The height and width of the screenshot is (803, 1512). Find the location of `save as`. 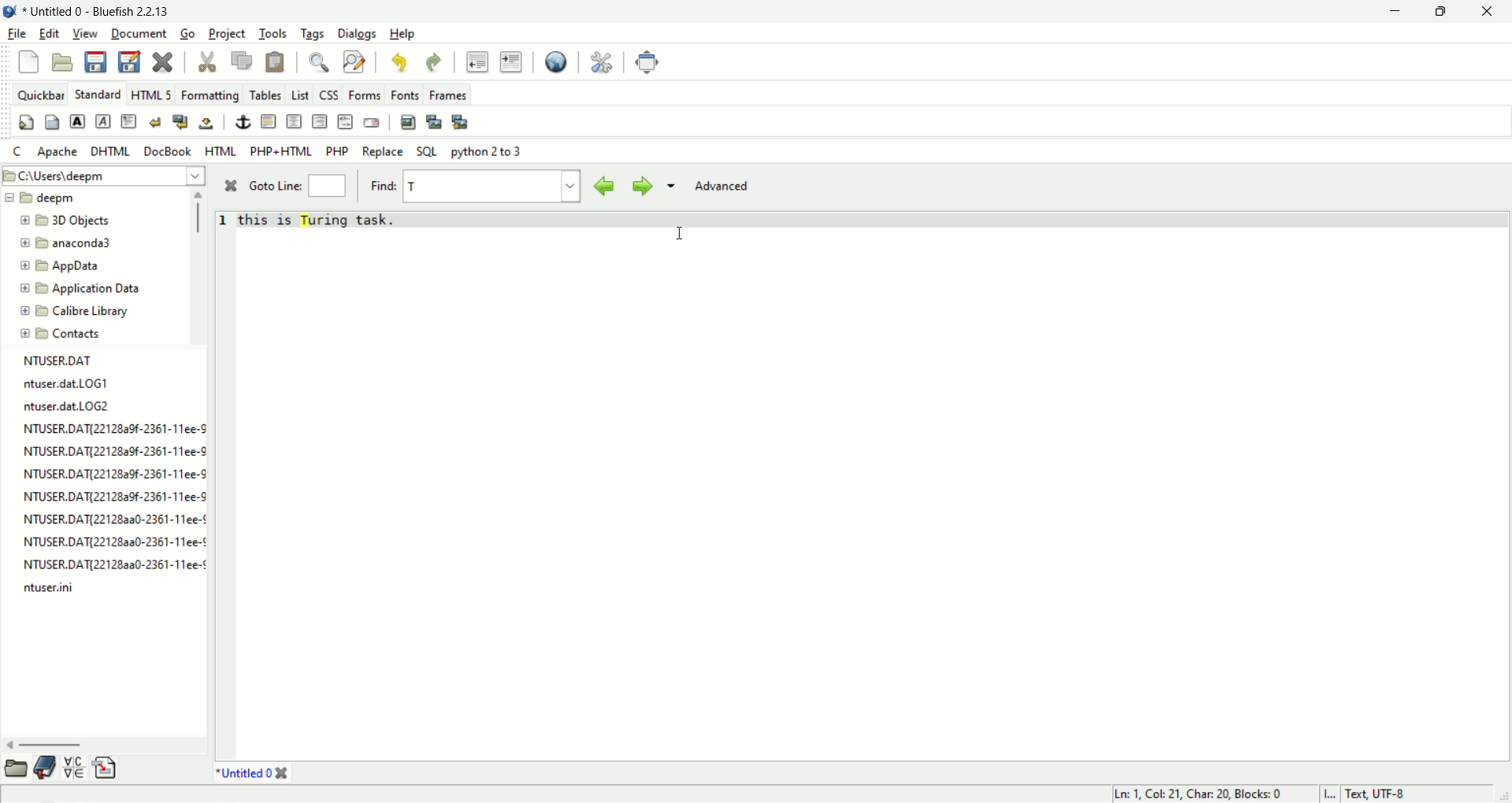

save as is located at coordinates (129, 61).